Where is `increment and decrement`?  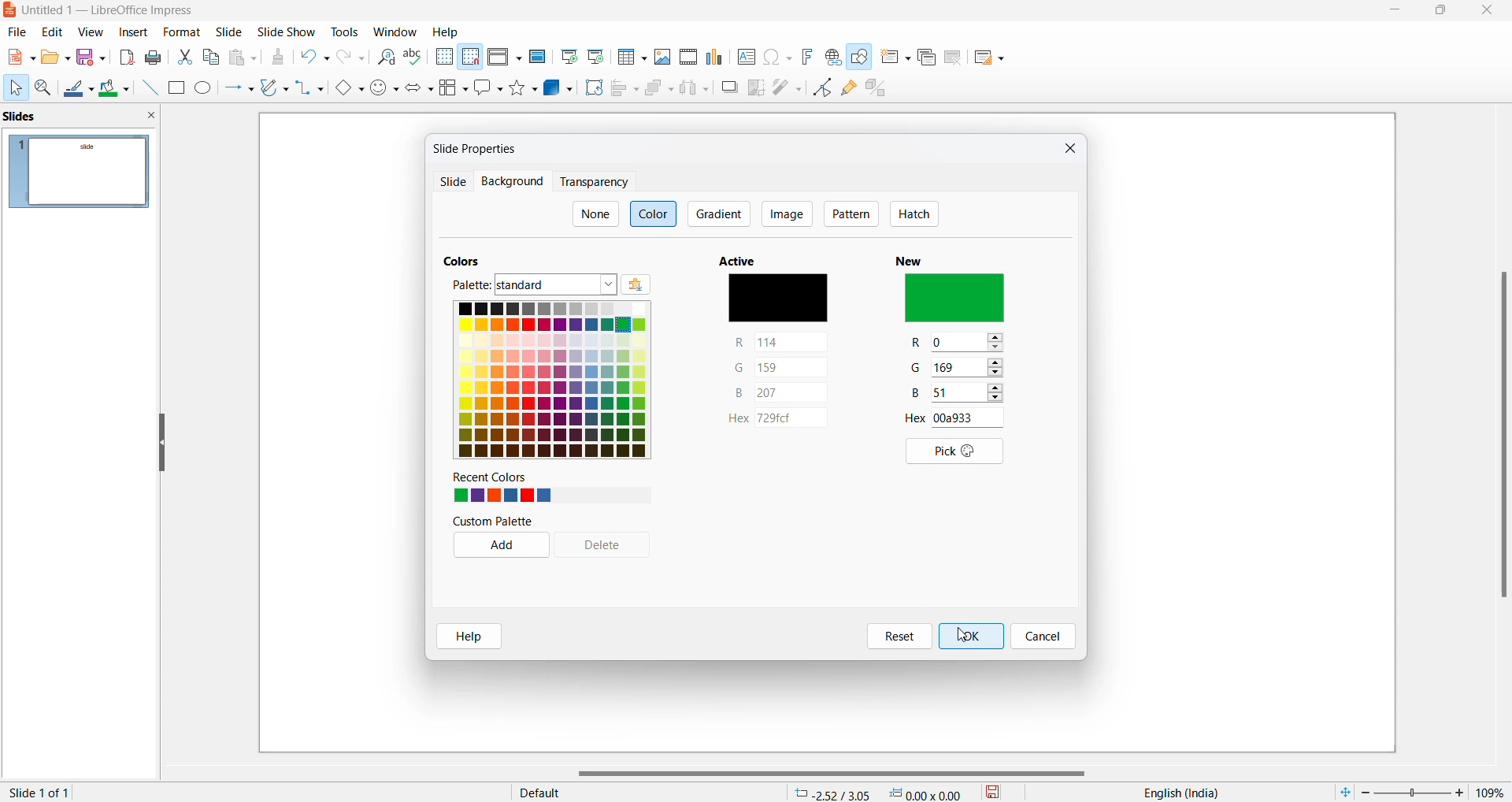
increment and decrement is located at coordinates (996, 369).